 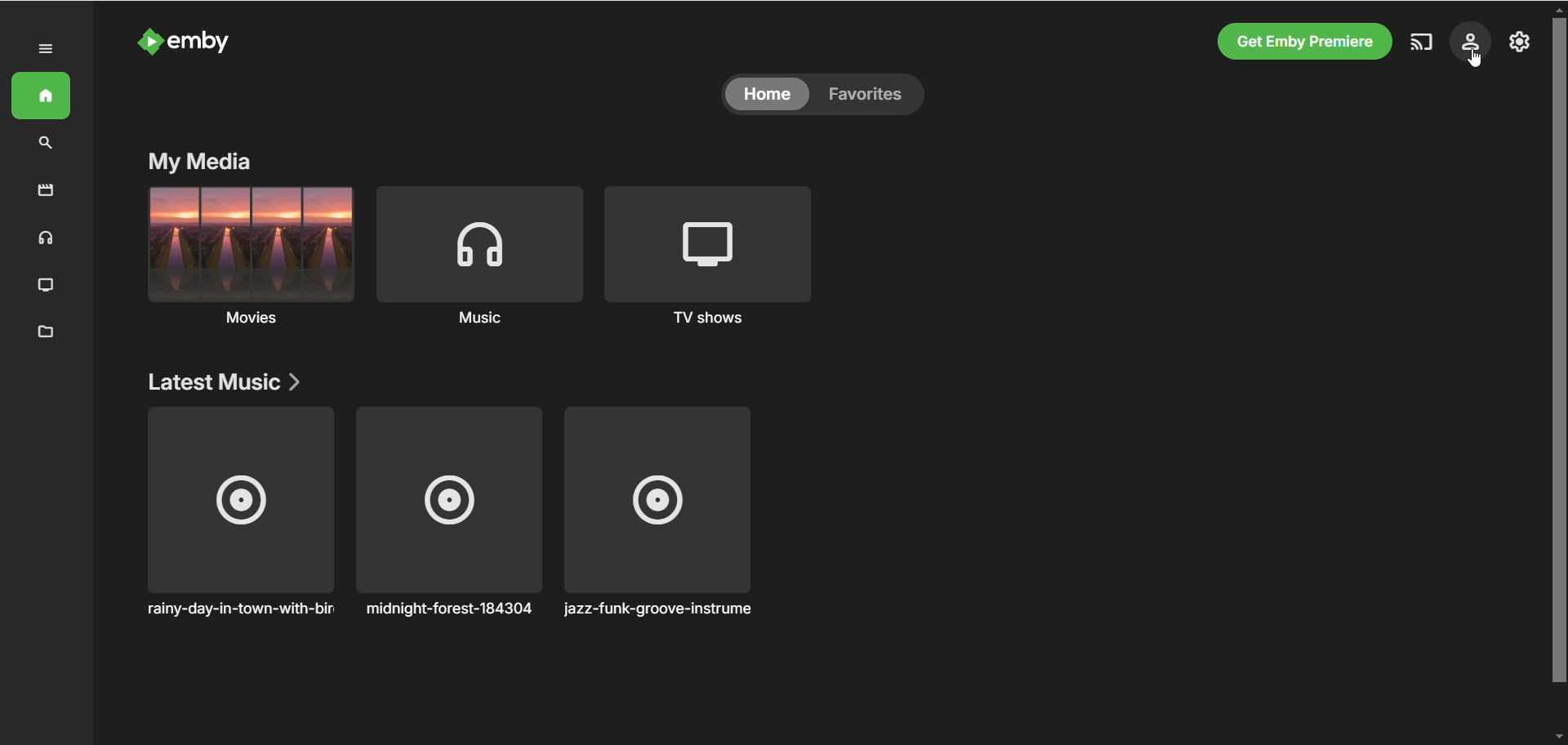 What do you see at coordinates (1420, 43) in the screenshot?
I see `play on another device` at bounding box center [1420, 43].